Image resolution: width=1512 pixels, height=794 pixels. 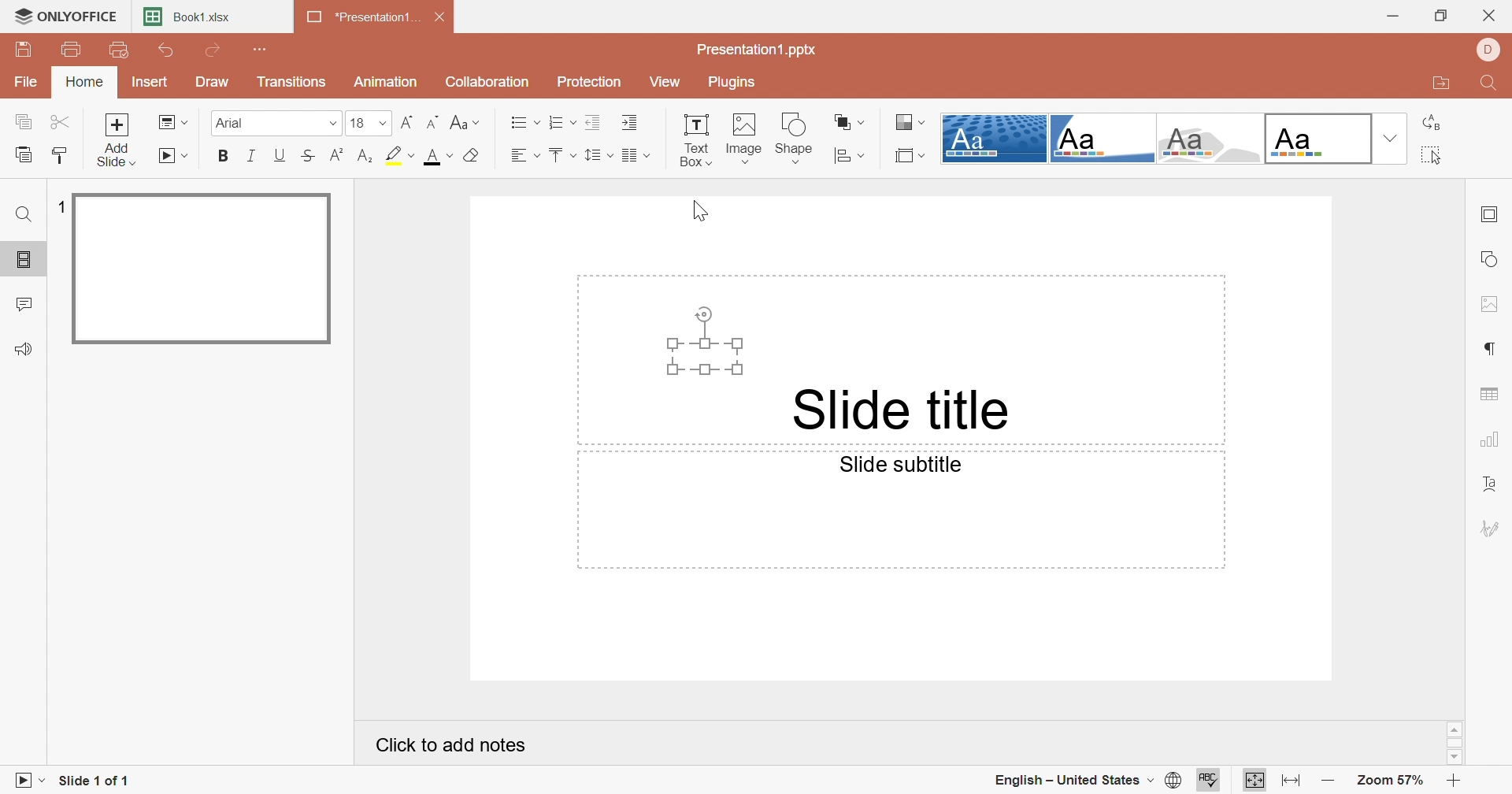 What do you see at coordinates (1442, 83) in the screenshot?
I see `Open file location` at bounding box center [1442, 83].